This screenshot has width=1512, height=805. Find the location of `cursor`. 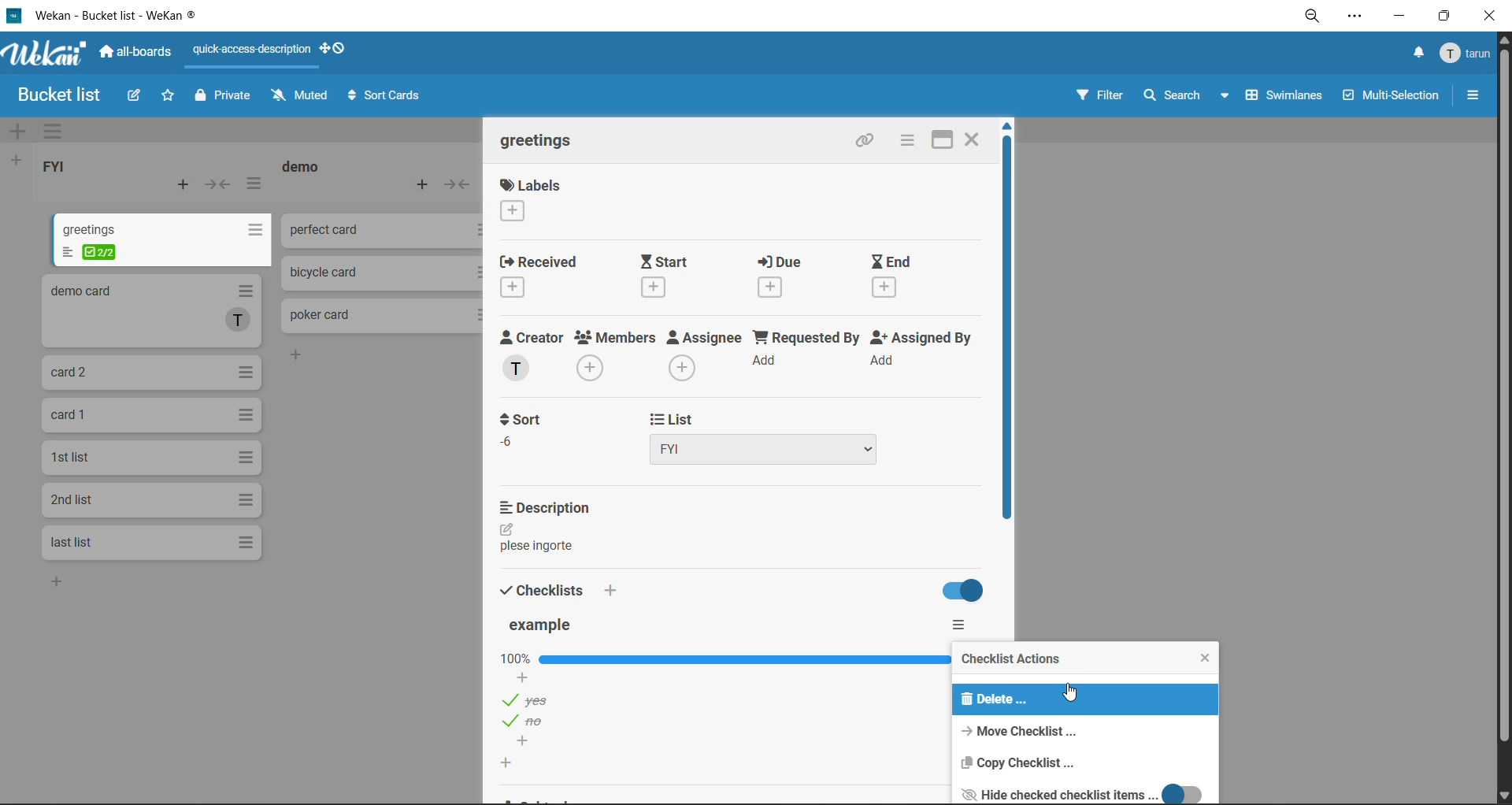

cursor is located at coordinates (1069, 695).